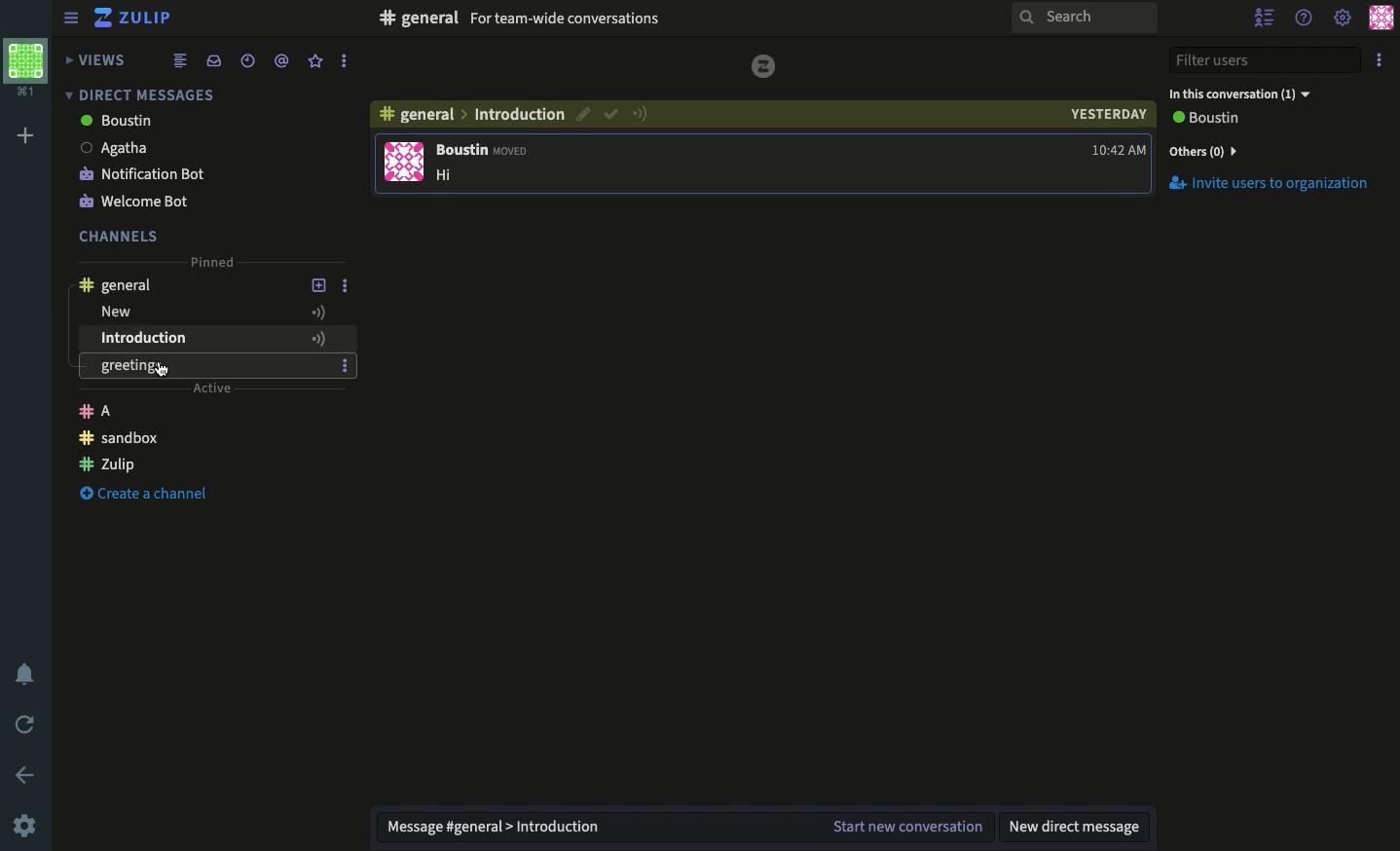  What do you see at coordinates (24, 65) in the screenshot?
I see `Profile` at bounding box center [24, 65].